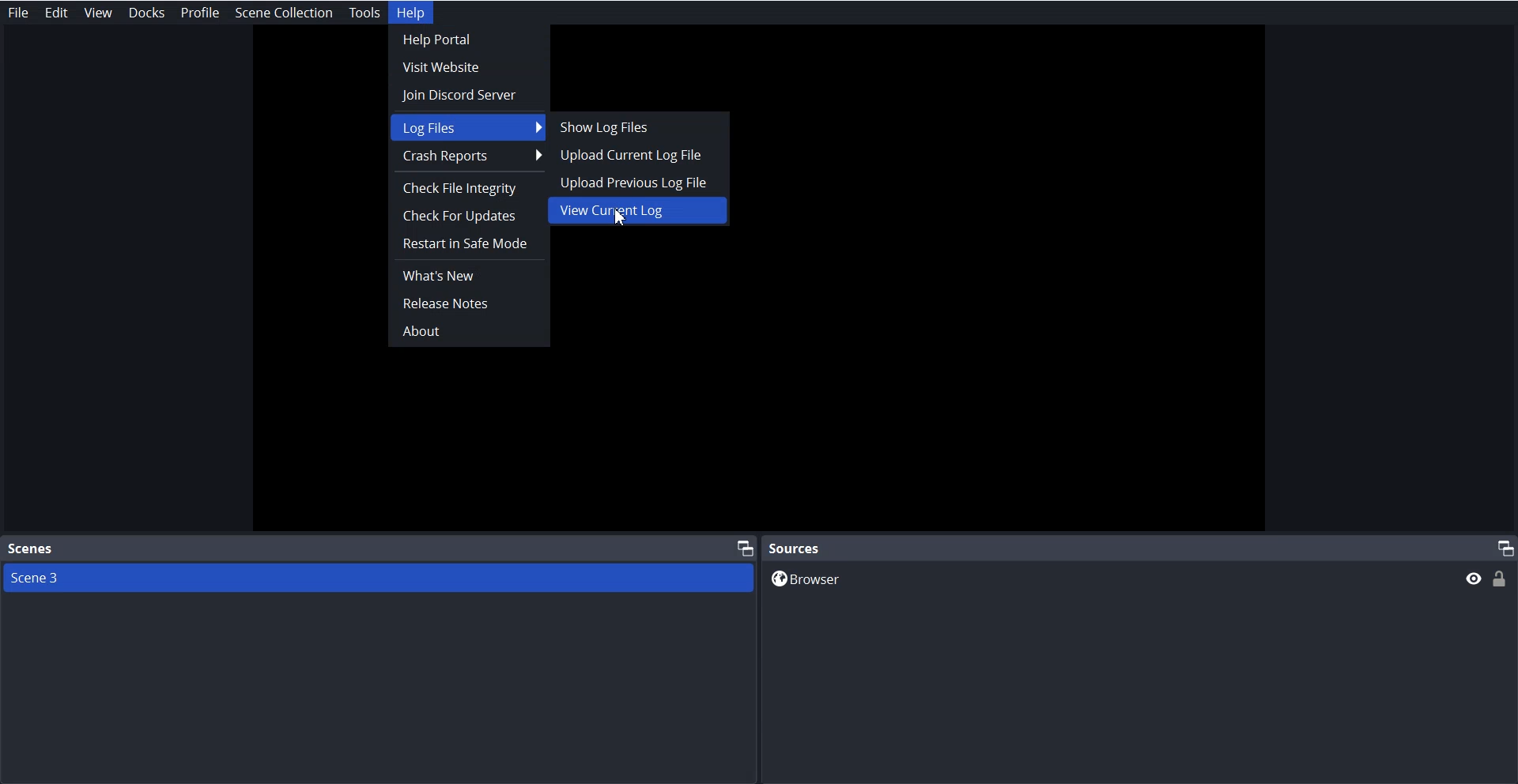  What do you see at coordinates (467, 126) in the screenshot?
I see `Log Files` at bounding box center [467, 126].